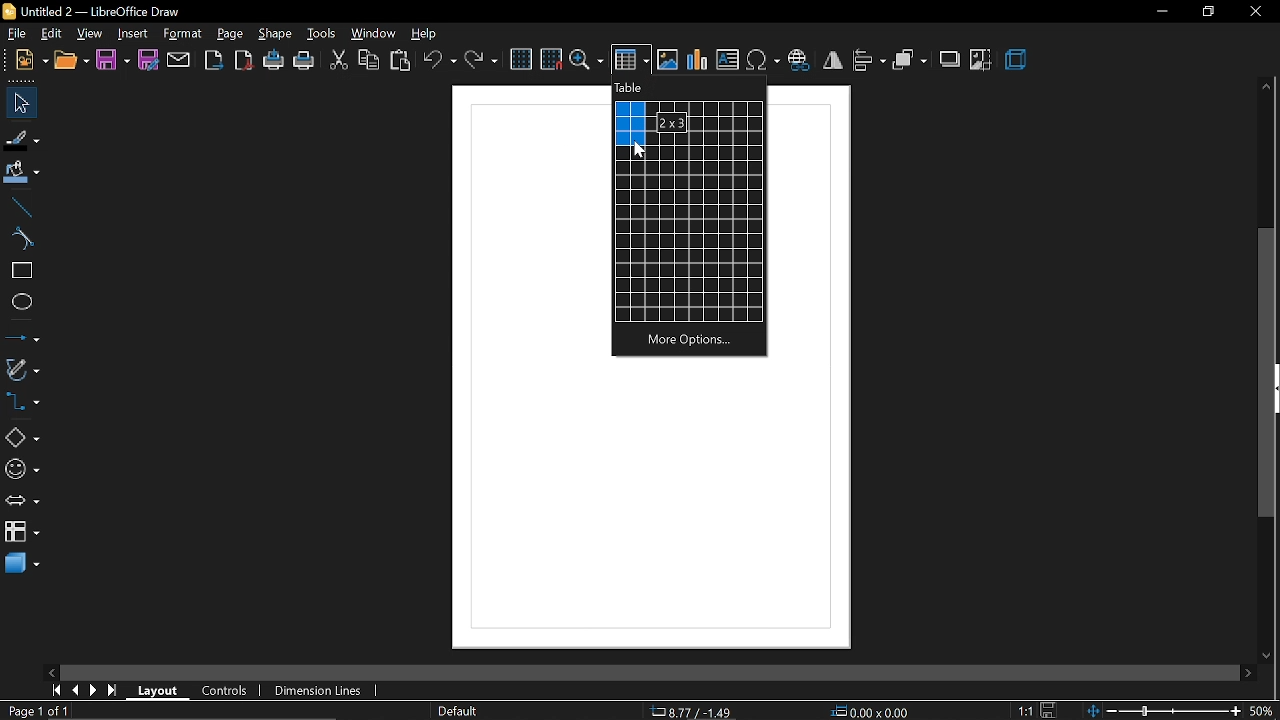  What do you see at coordinates (232, 34) in the screenshot?
I see `page` at bounding box center [232, 34].